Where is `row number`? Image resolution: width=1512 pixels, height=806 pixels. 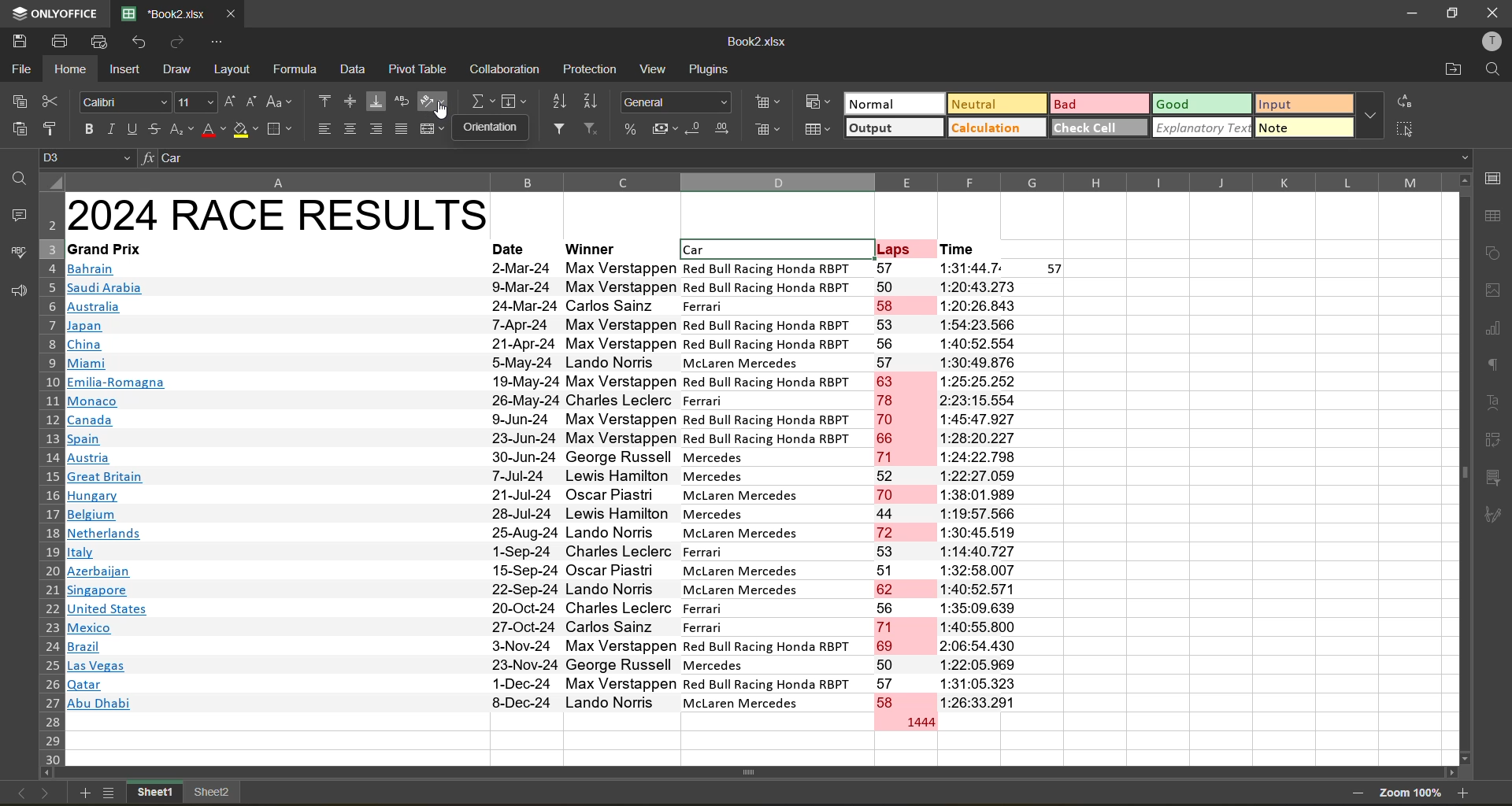 row number is located at coordinates (48, 479).